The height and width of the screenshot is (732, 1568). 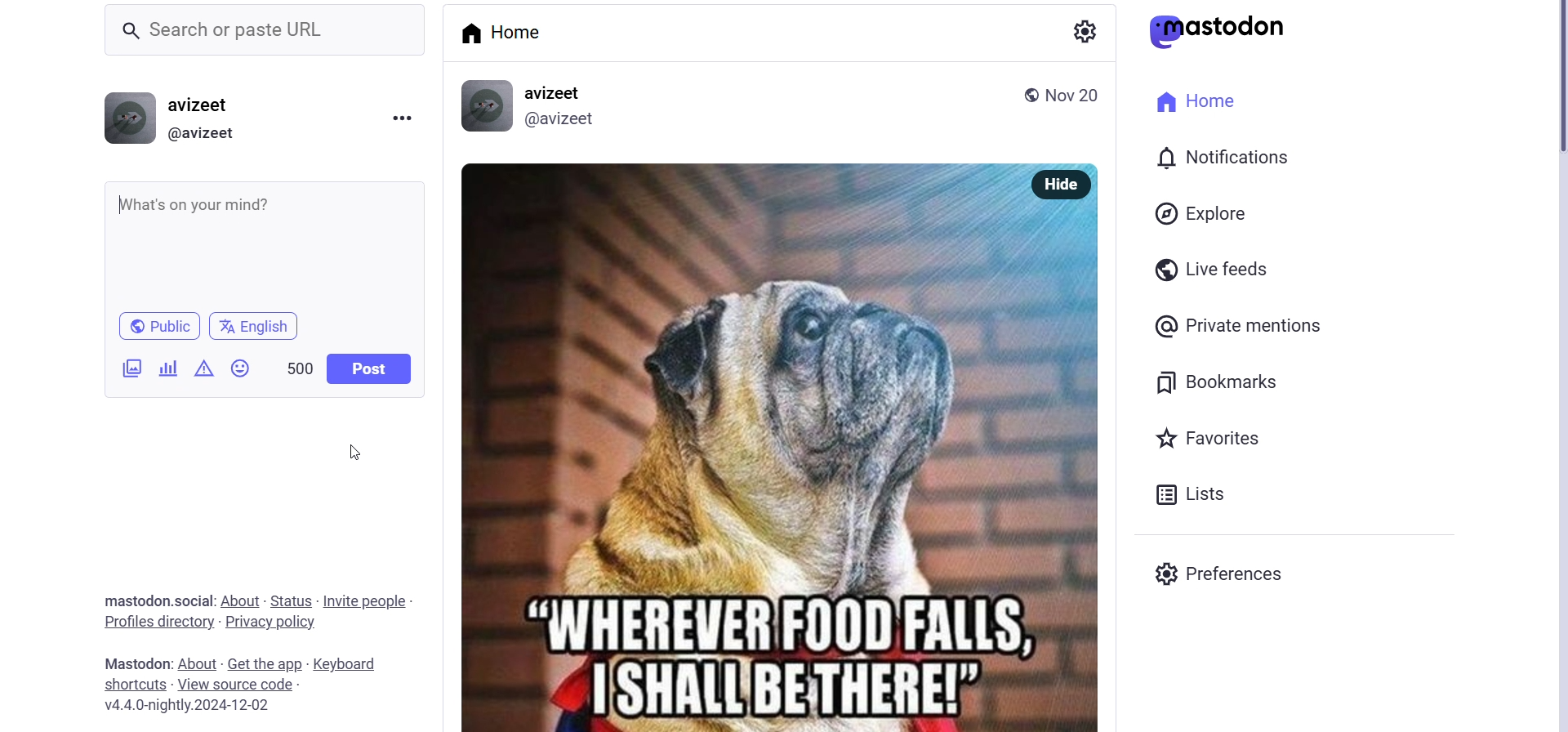 What do you see at coordinates (368, 368) in the screenshot?
I see `post` at bounding box center [368, 368].